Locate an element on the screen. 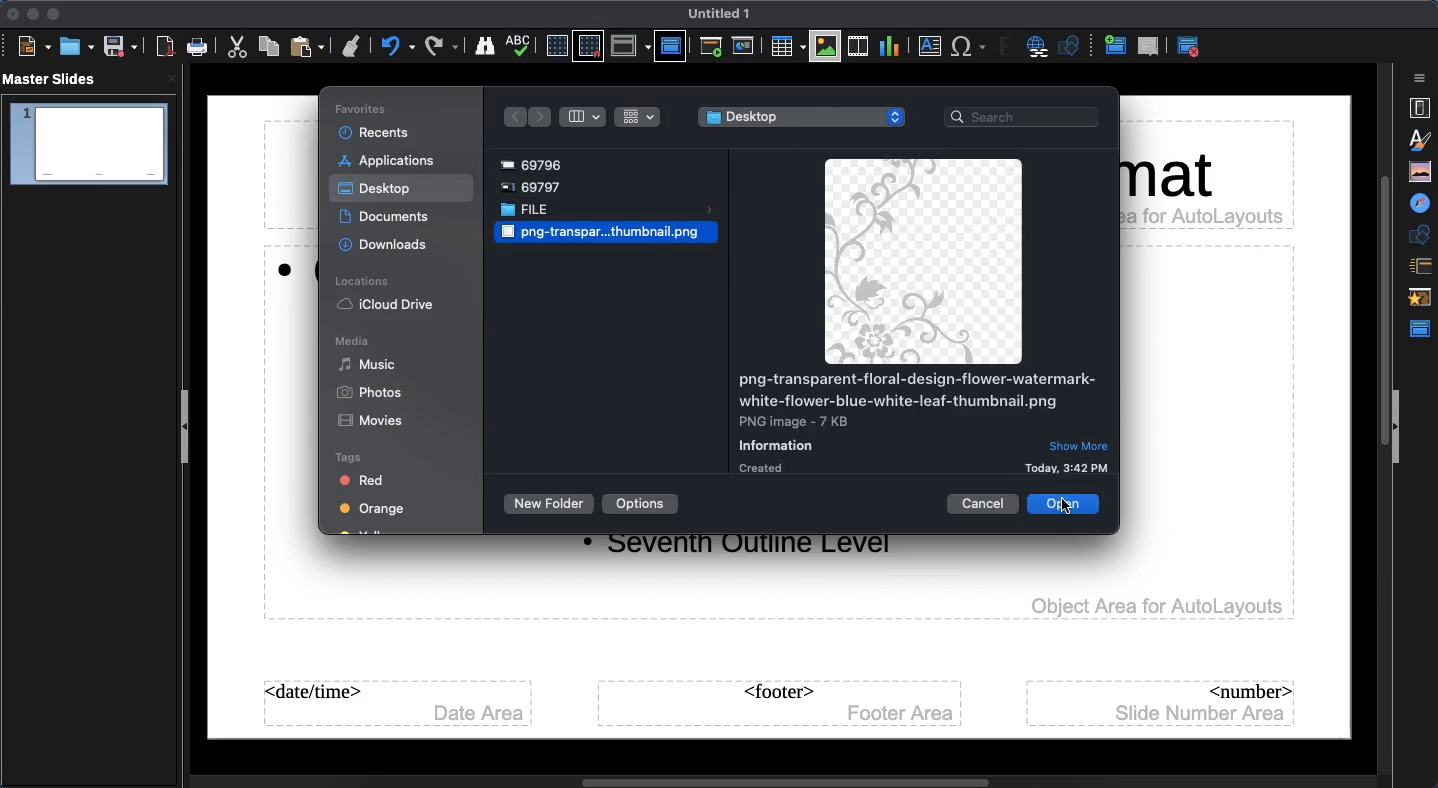  Snap grid is located at coordinates (588, 47).